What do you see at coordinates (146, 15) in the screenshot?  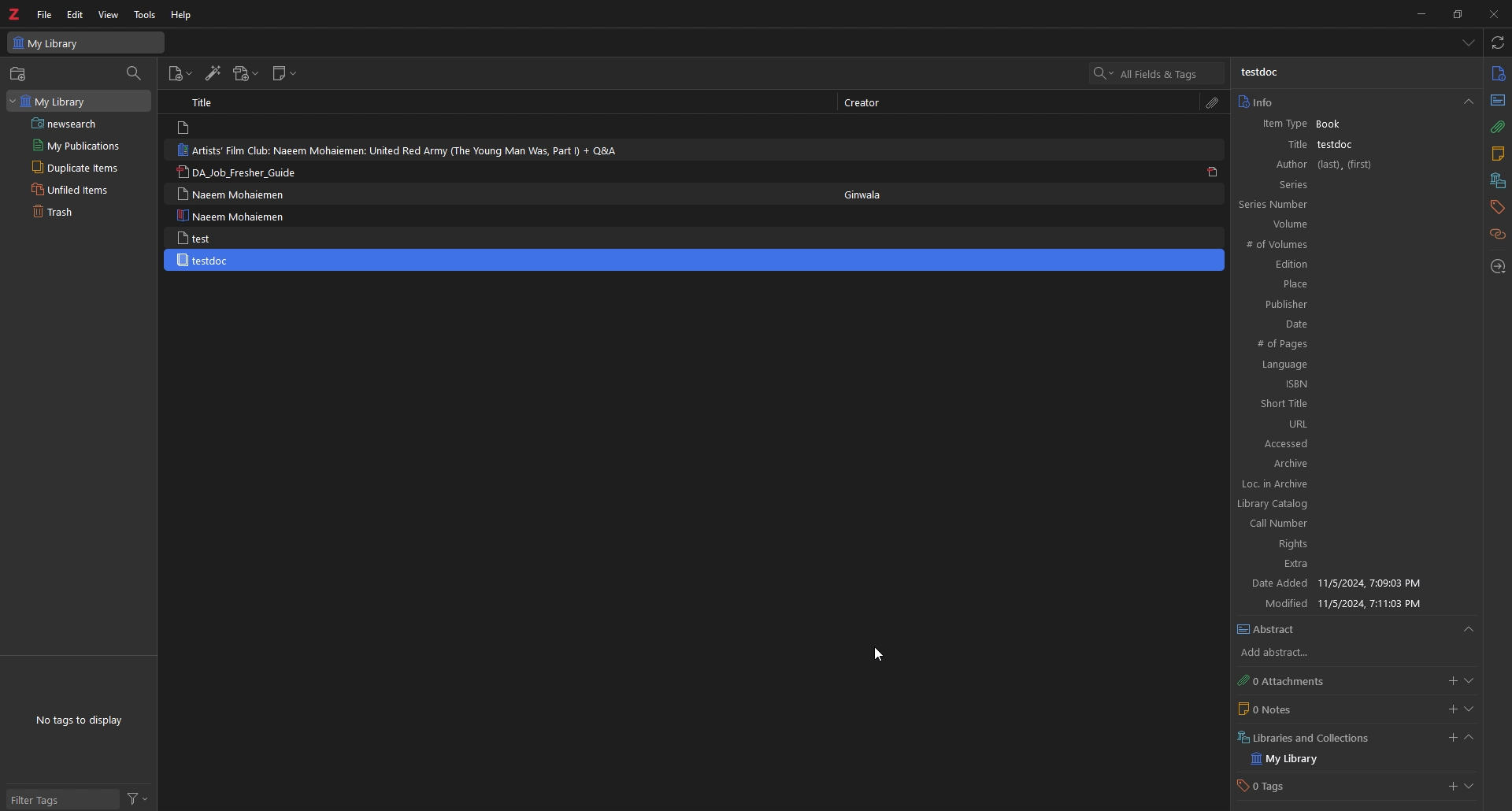 I see `tools` at bounding box center [146, 15].